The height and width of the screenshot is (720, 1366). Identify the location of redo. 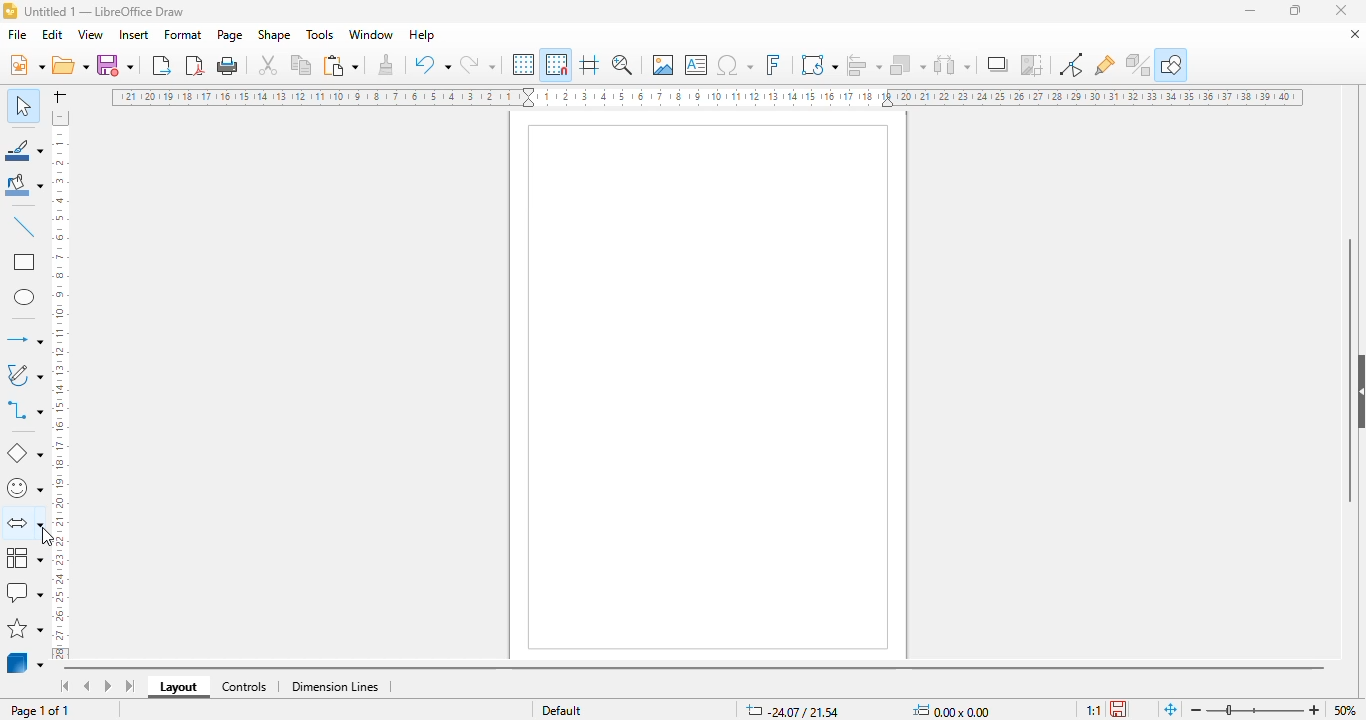
(477, 64).